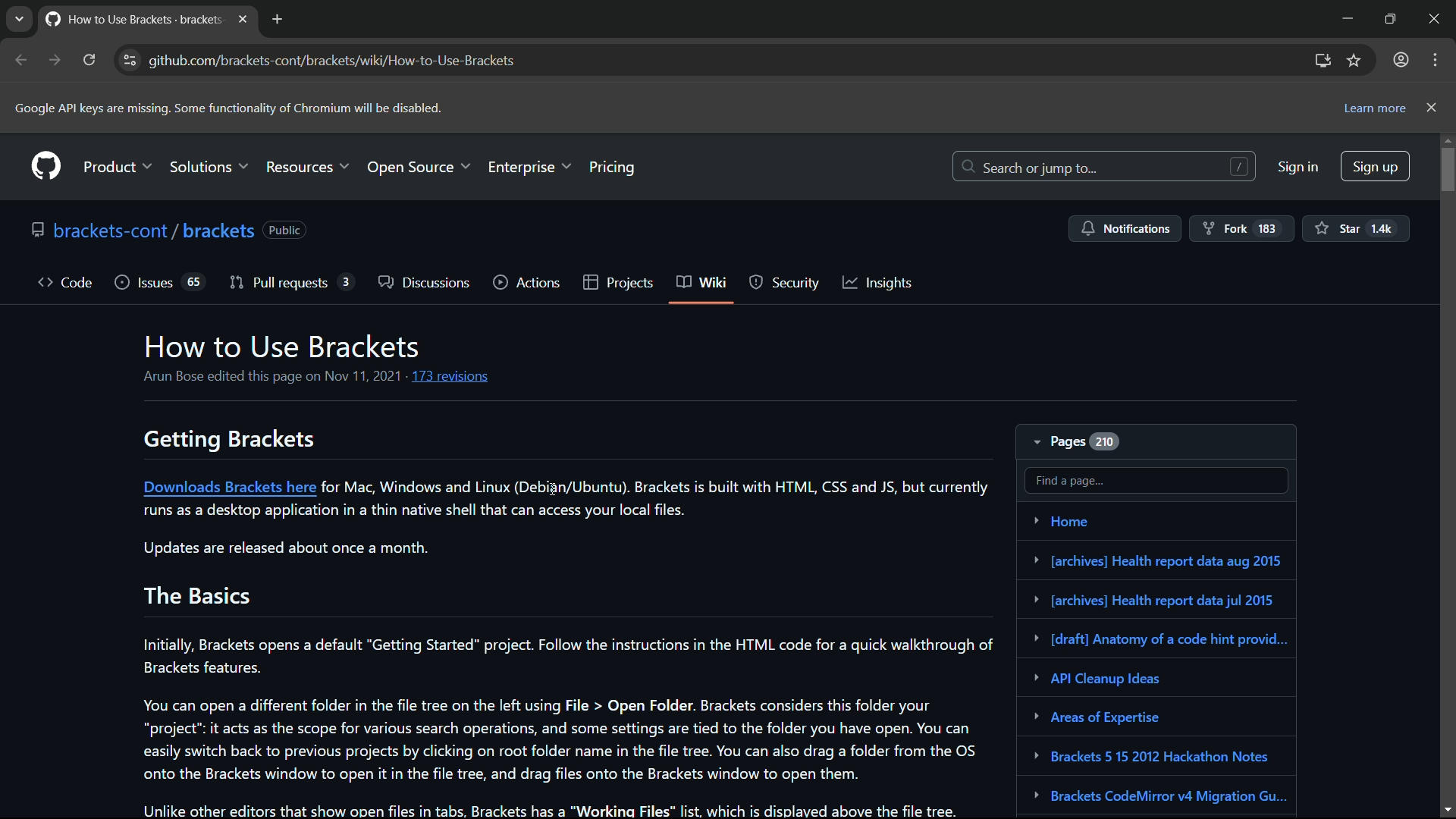  What do you see at coordinates (46, 167) in the screenshot?
I see `github icon` at bounding box center [46, 167].